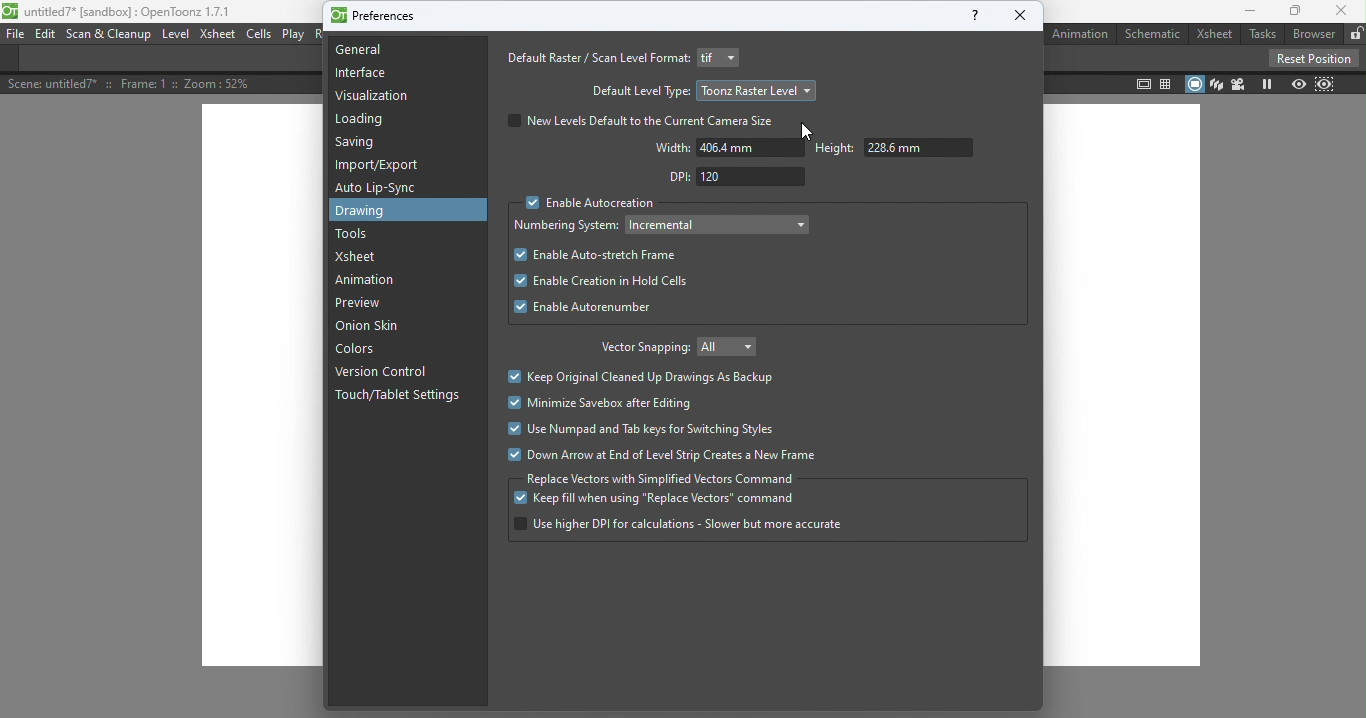 The image size is (1366, 718). Describe the element at coordinates (1079, 33) in the screenshot. I see `Animation` at that location.